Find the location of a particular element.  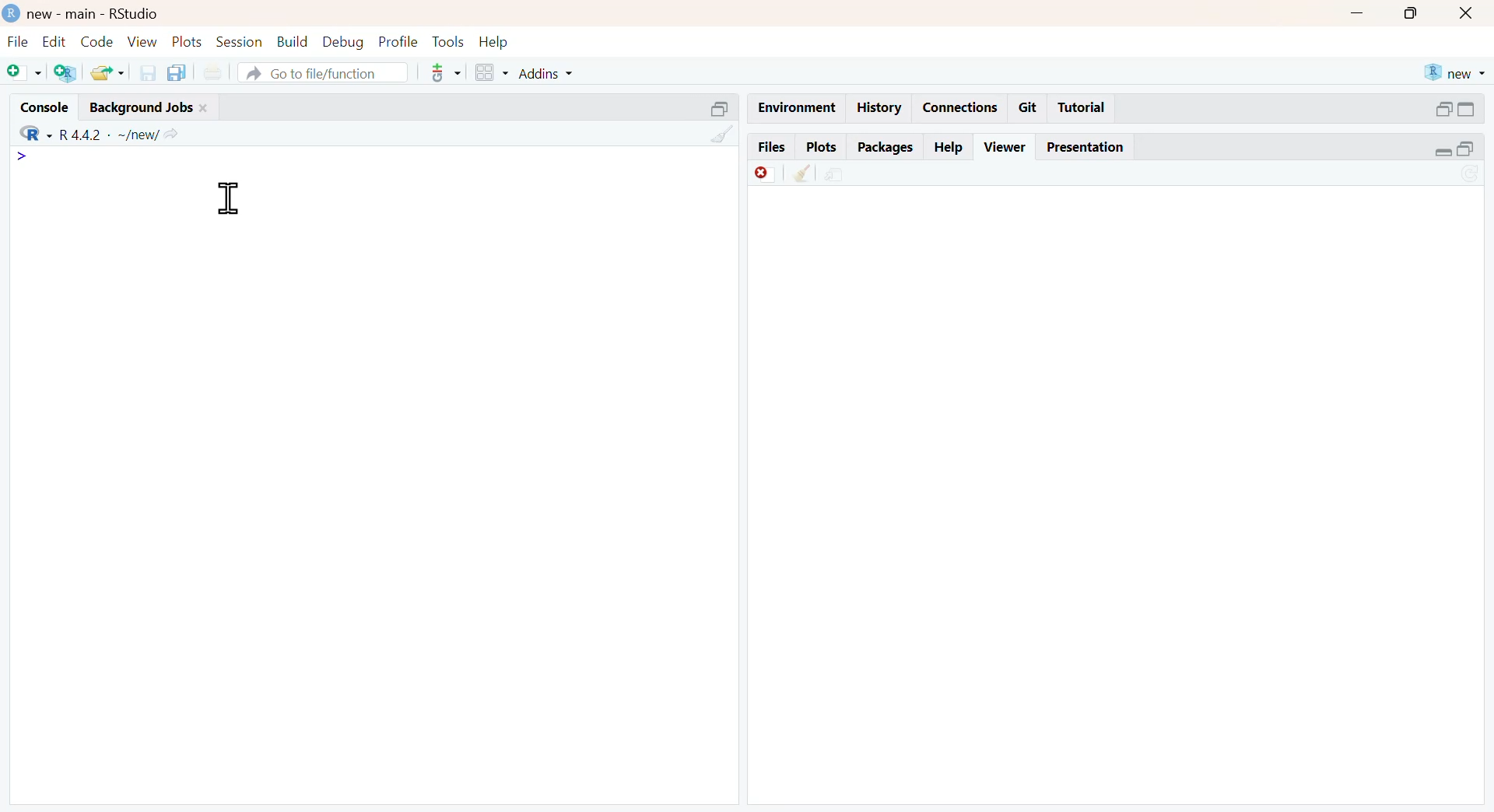

tools is located at coordinates (450, 41).